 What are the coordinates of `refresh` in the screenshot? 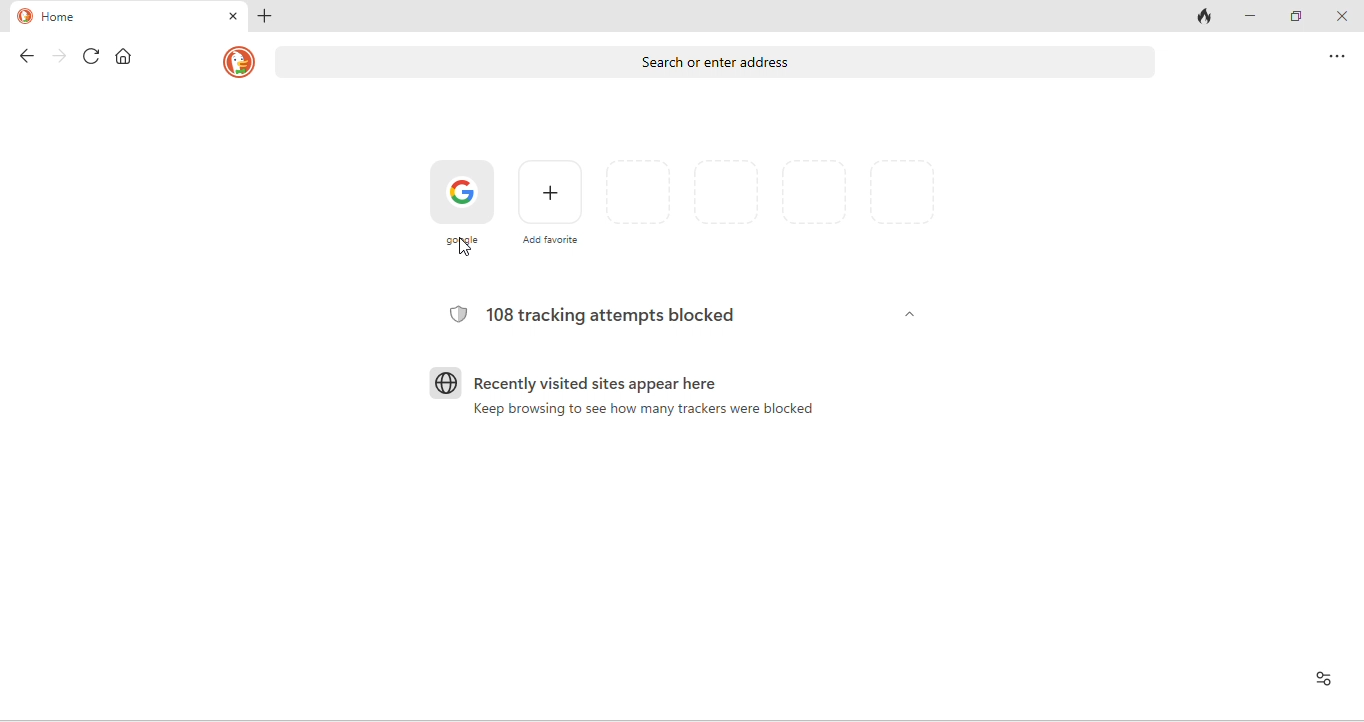 It's located at (85, 57).